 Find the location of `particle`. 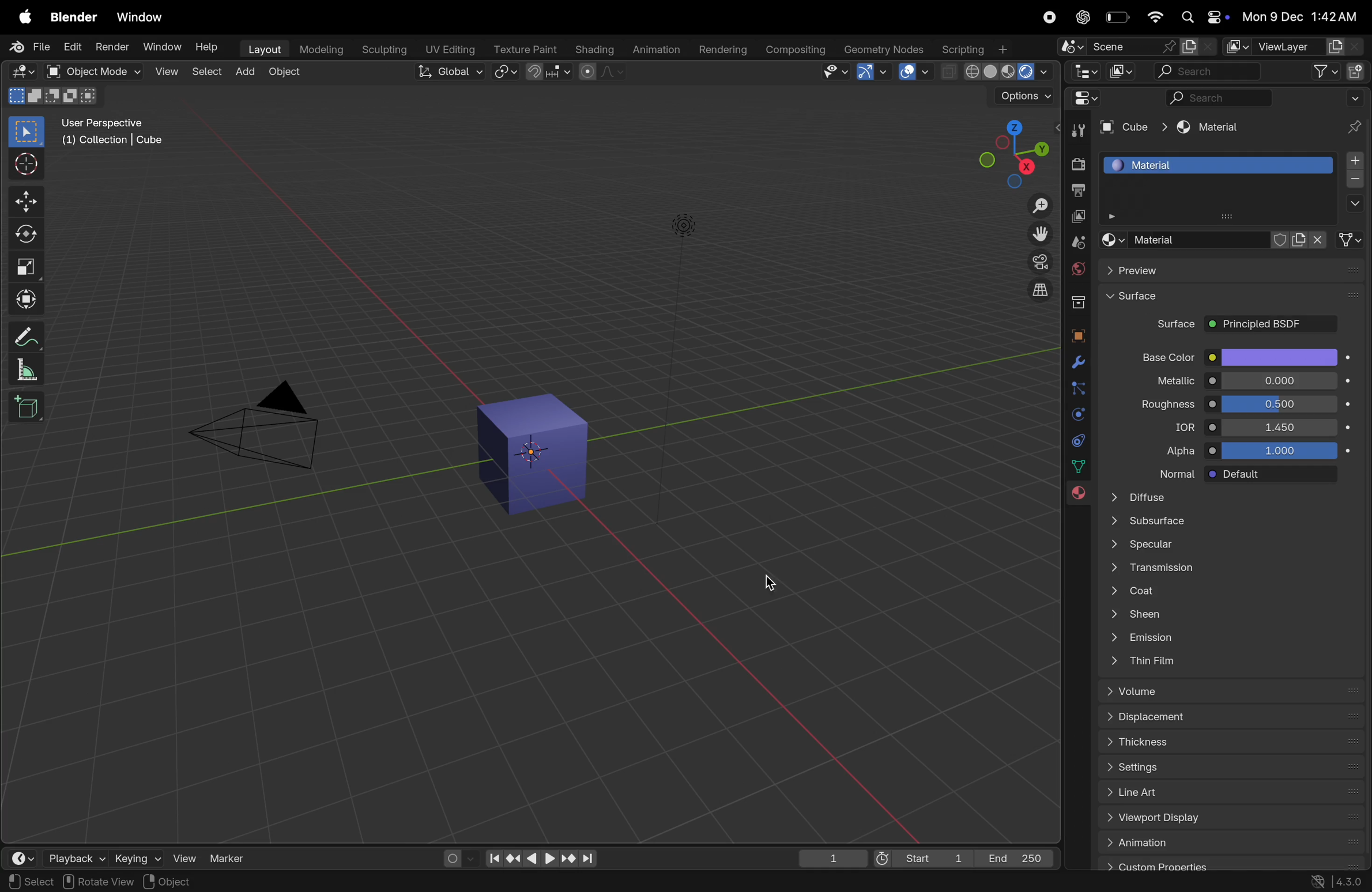

particle is located at coordinates (1077, 390).